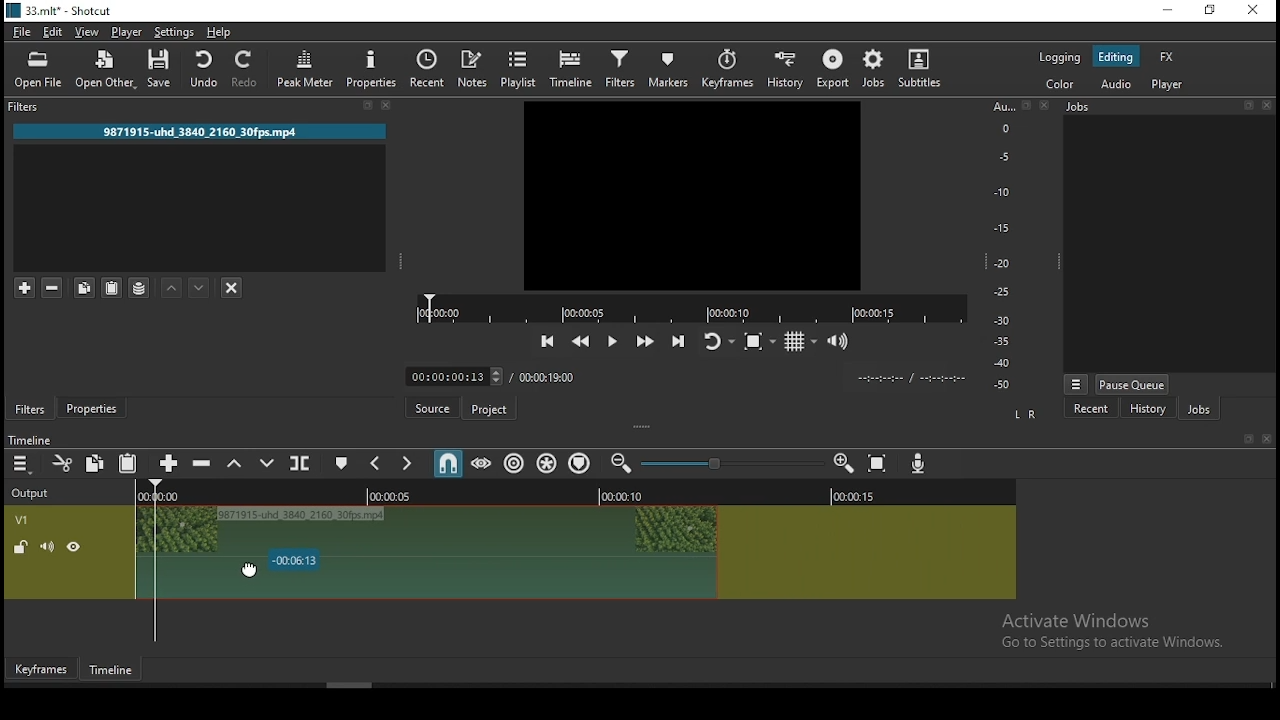 The width and height of the screenshot is (1280, 720). Describe the element at coordinates (22, 548) in the screenshot. I see `(un)locked` at that location.